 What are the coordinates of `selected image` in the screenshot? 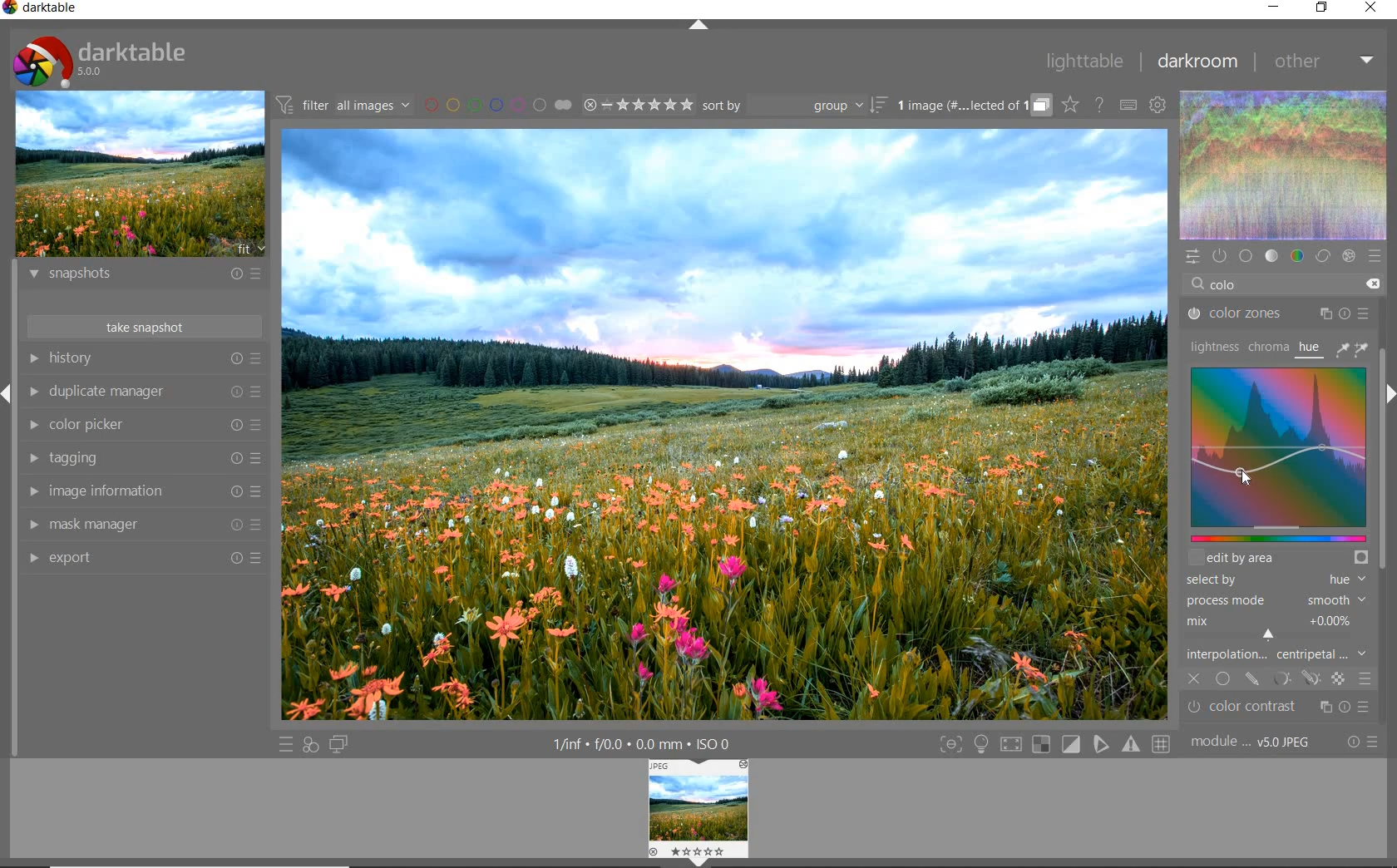 It's located at (728, 423).